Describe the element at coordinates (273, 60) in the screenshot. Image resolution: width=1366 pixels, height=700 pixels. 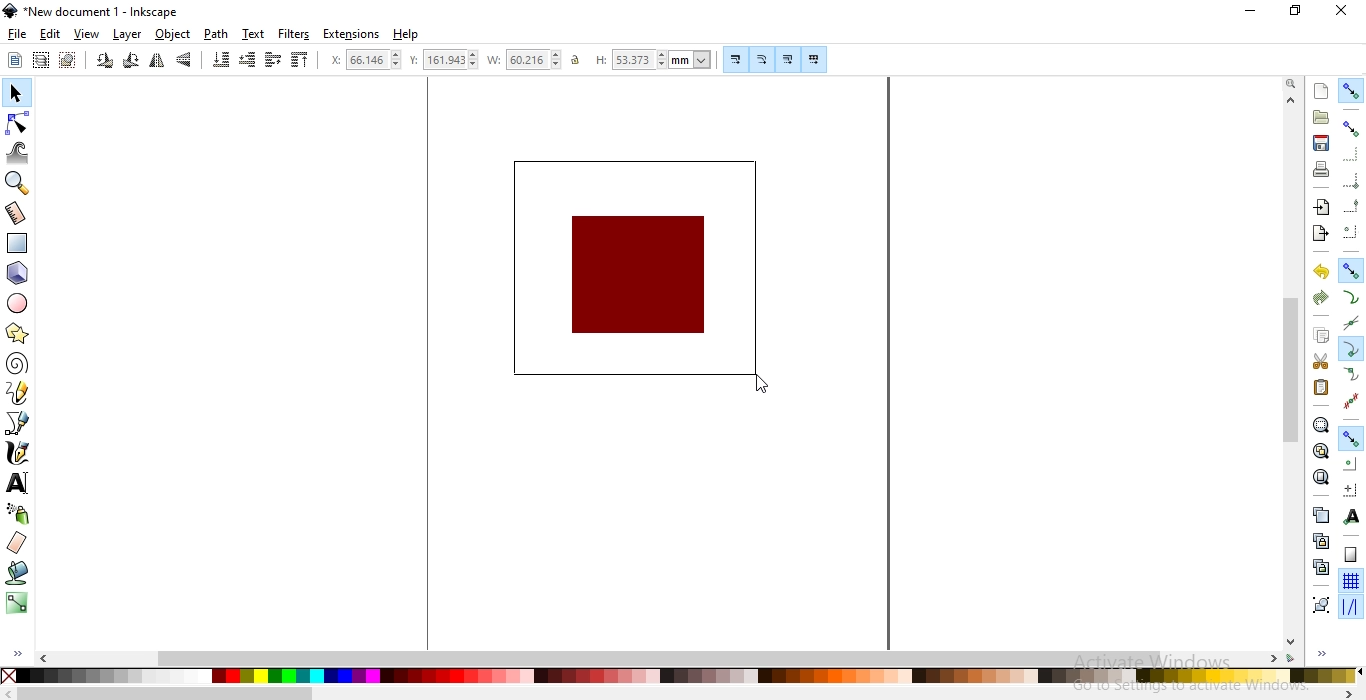
I see `raise selection one step` at that location.